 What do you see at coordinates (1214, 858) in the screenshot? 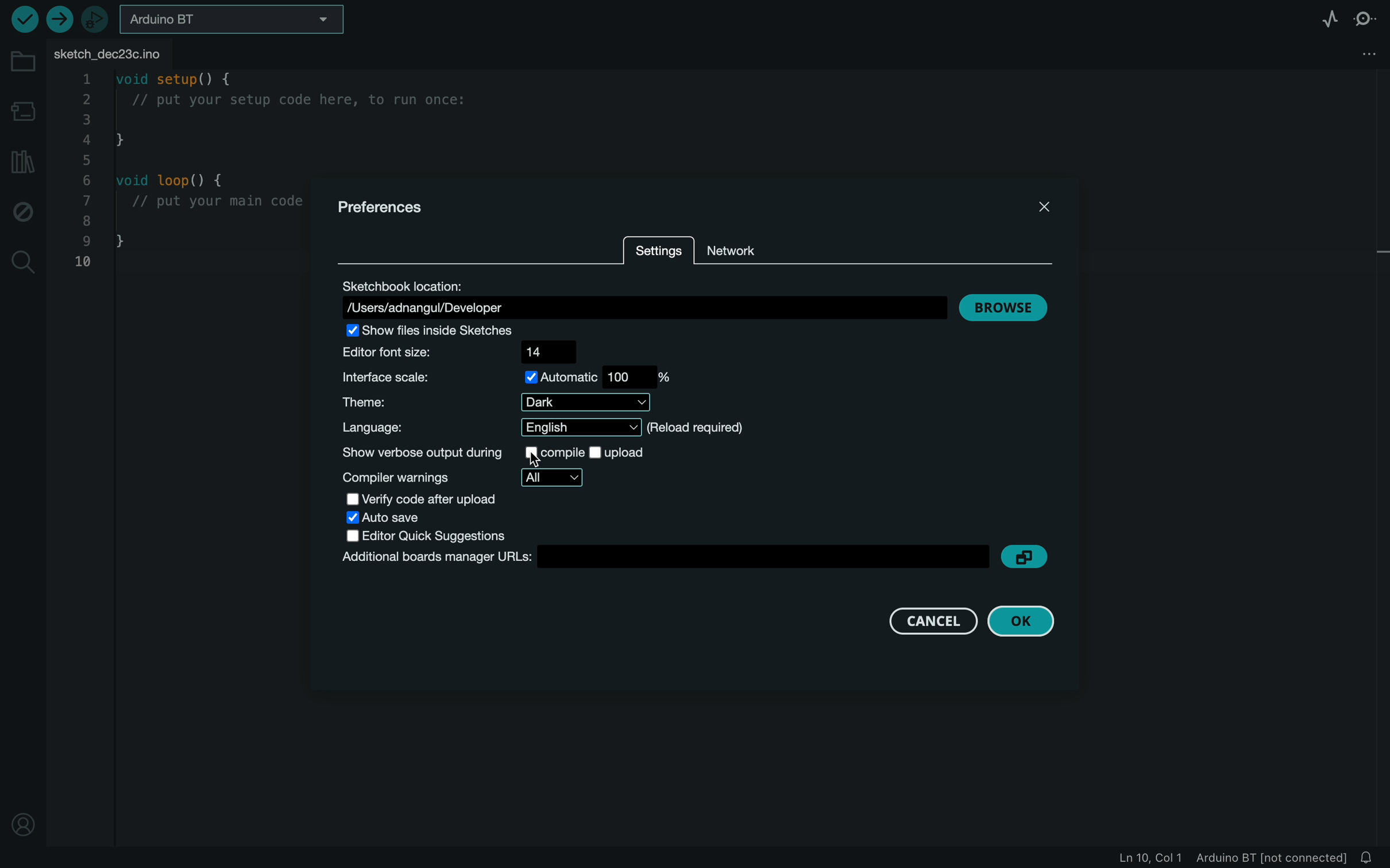
I see `file information` at bounding box center [1214, 858].